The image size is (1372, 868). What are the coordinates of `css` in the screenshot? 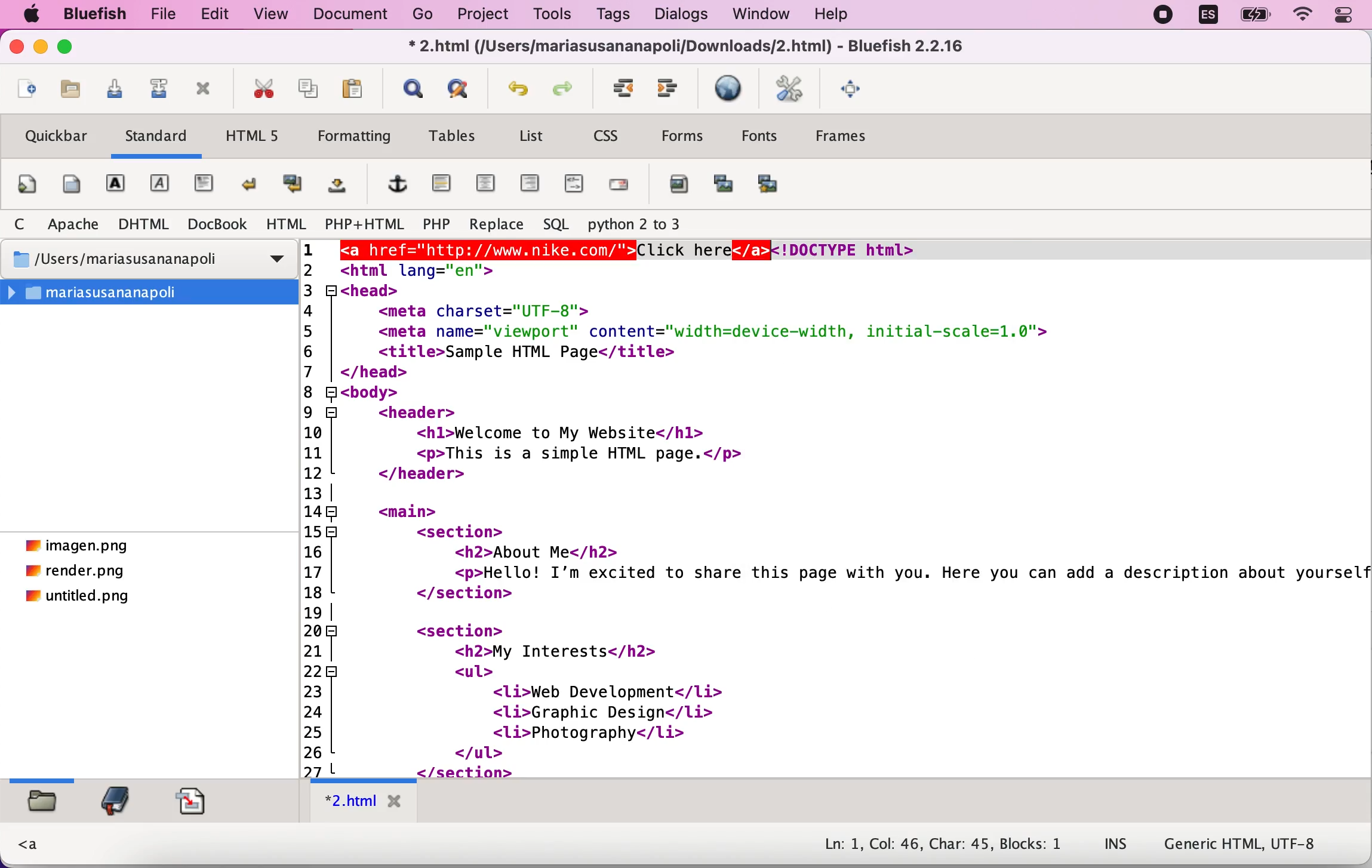 It's located at (612, 140).